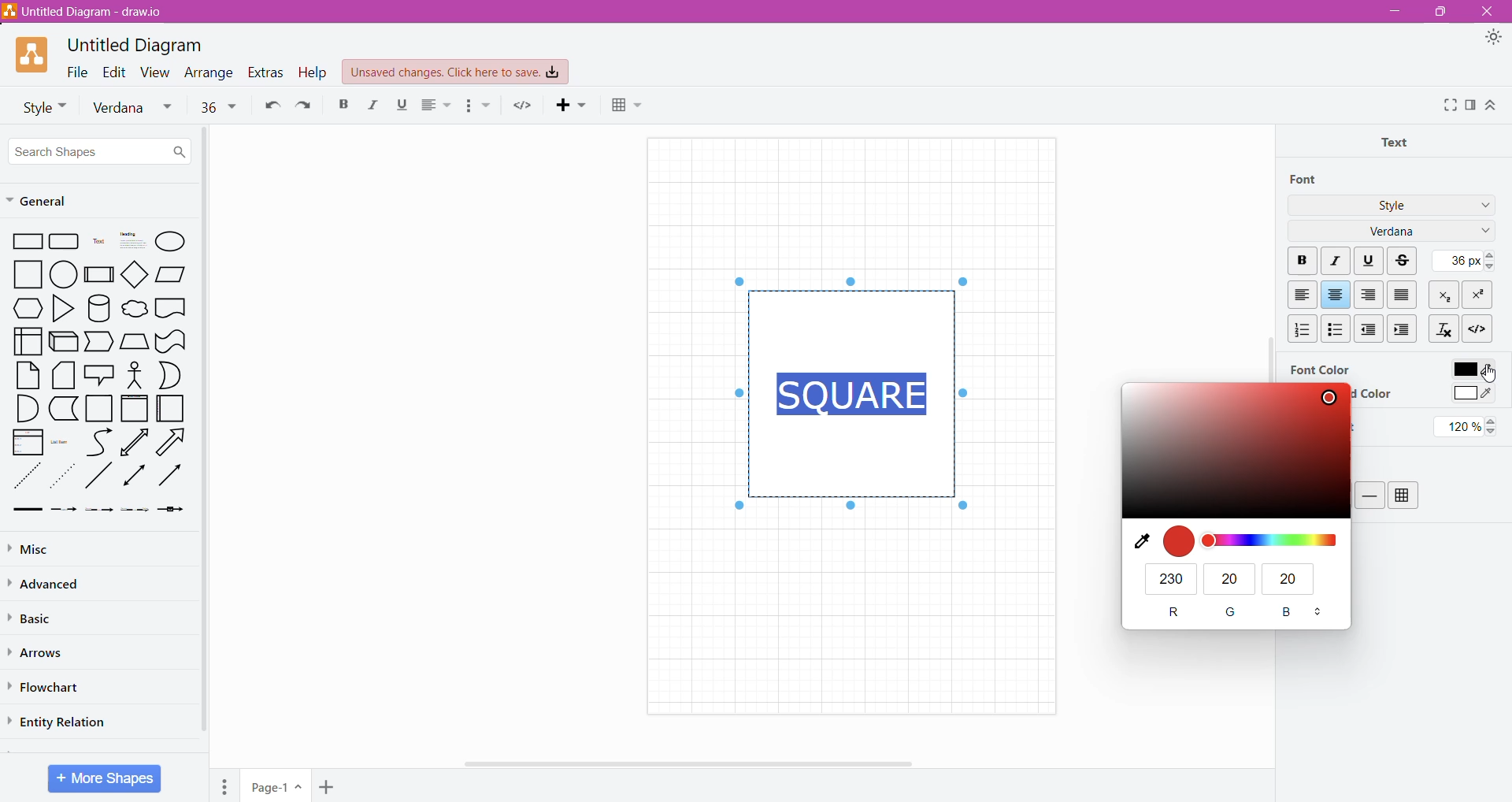  I want to click on Background Color, so click(1374, 394).